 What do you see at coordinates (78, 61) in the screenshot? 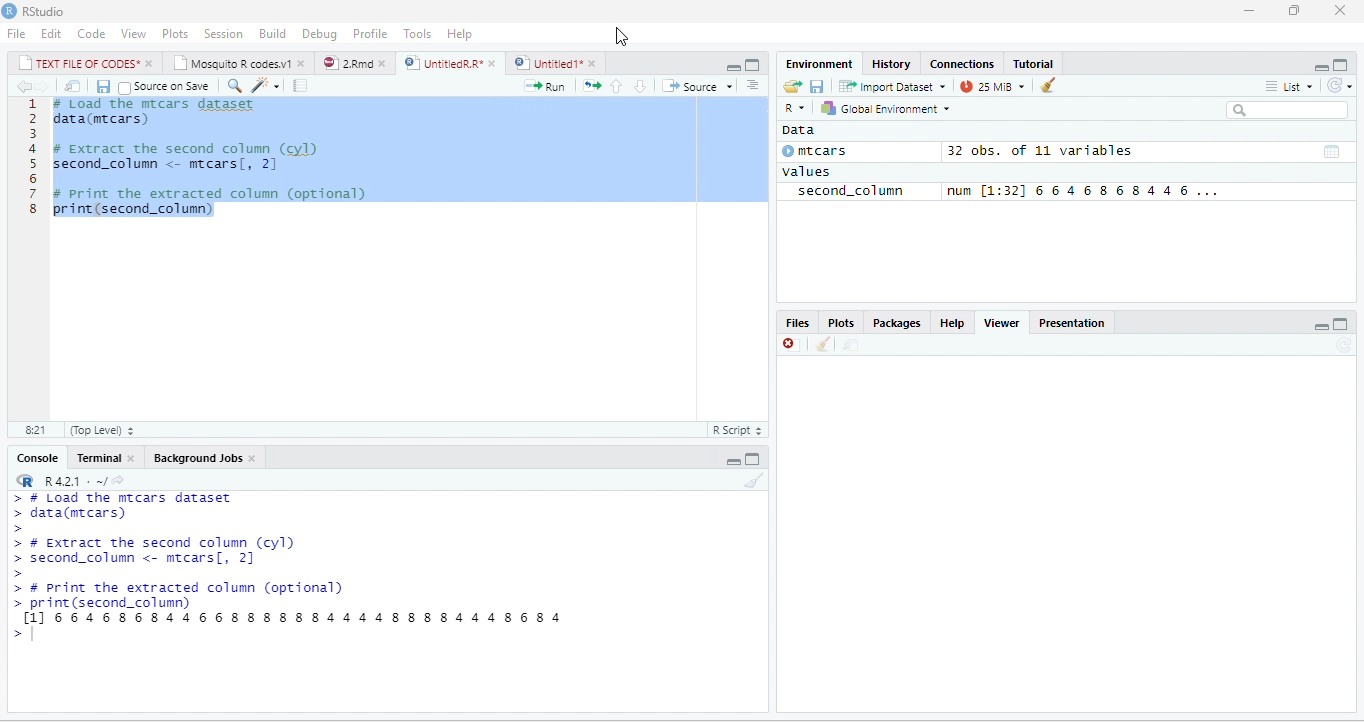
I see `| TEXT FILE RF CODES*` at bounding box center [78, 61].